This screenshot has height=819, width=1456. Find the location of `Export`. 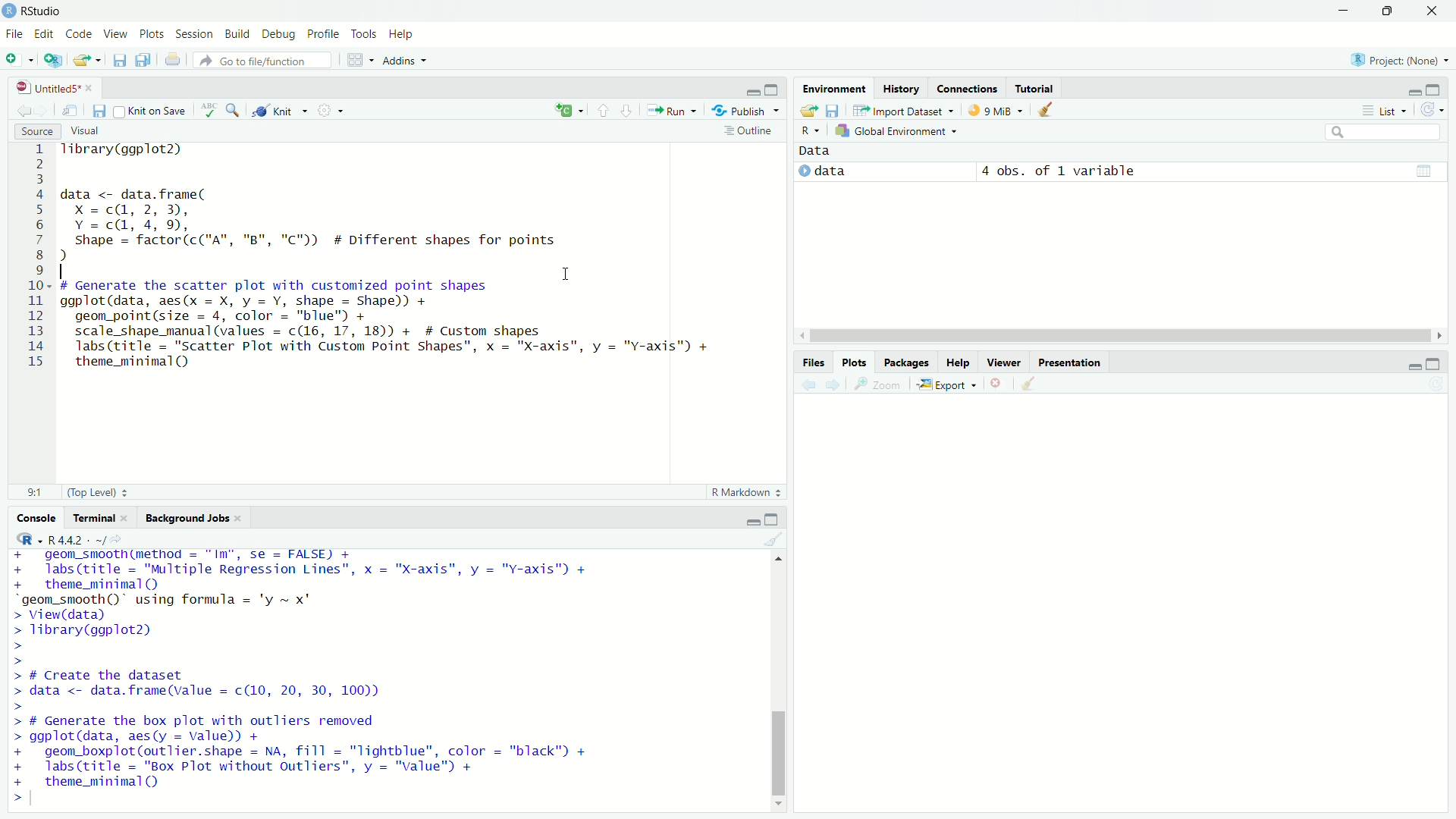

Export is located at coordinates (946, 384).